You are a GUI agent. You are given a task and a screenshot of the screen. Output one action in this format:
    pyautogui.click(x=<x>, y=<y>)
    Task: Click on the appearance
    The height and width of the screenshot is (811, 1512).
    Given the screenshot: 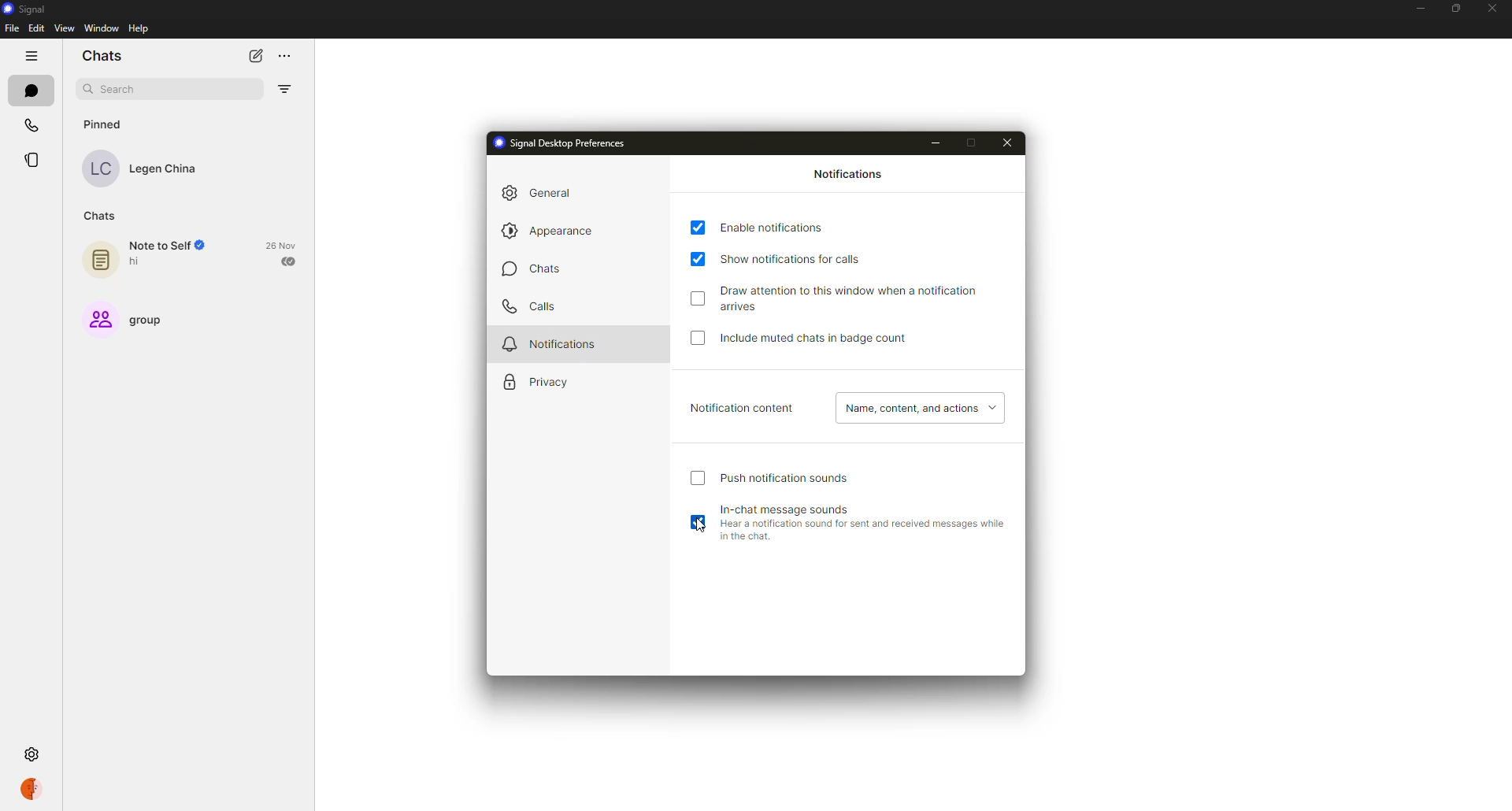 What is the action you would take?
    pyautogui.click(x=555, y=229)
    